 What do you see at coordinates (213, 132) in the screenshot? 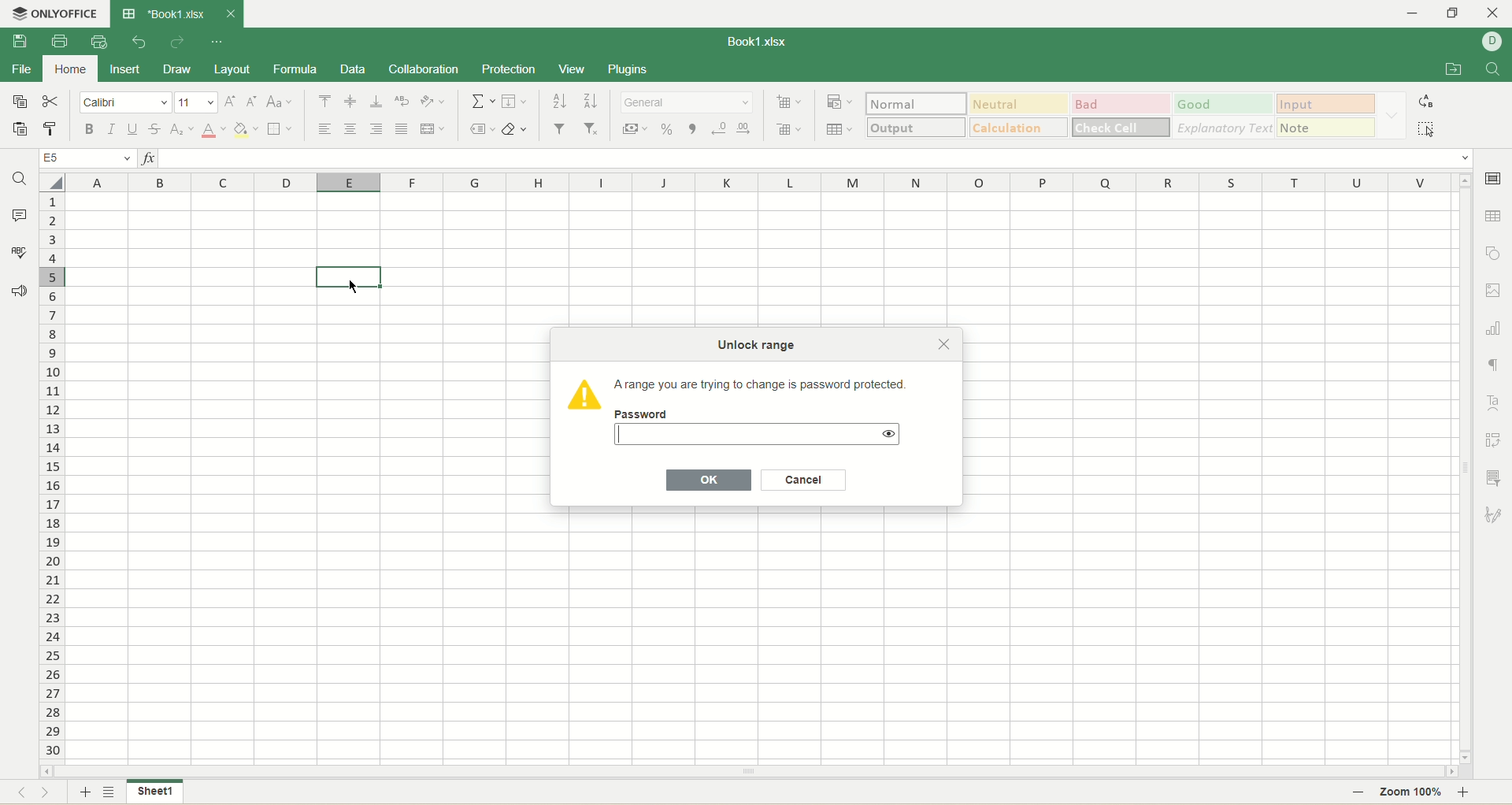
I see `text color` at bounding box center [213, 132].